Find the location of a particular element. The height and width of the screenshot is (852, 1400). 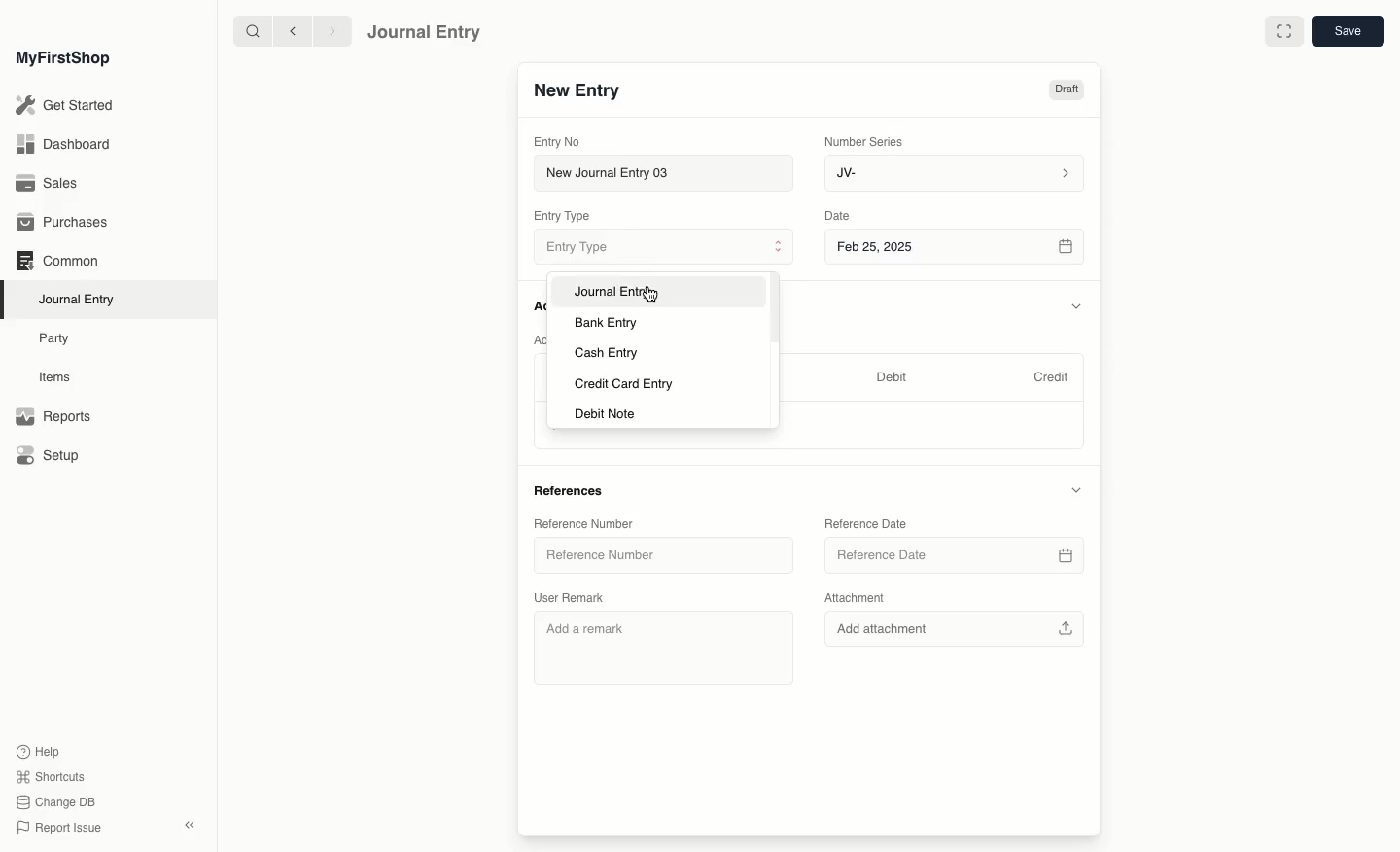

Cash Entry is located at coordinates (605, 352).